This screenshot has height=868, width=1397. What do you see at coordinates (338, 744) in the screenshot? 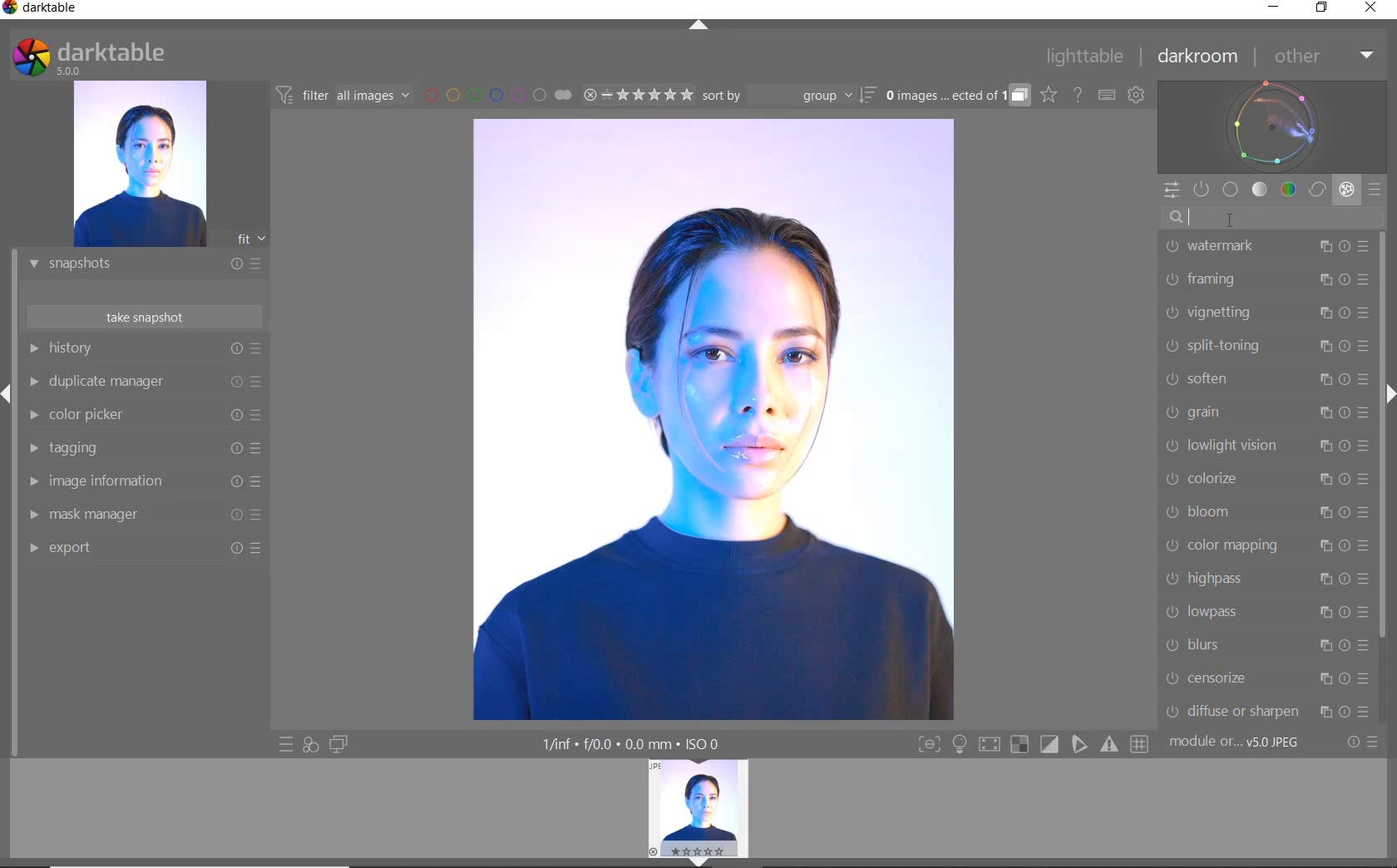
I see `DISPLAY A SECOND DARKROOM IMAGE WINDOW` at bounding box center [338, 744].